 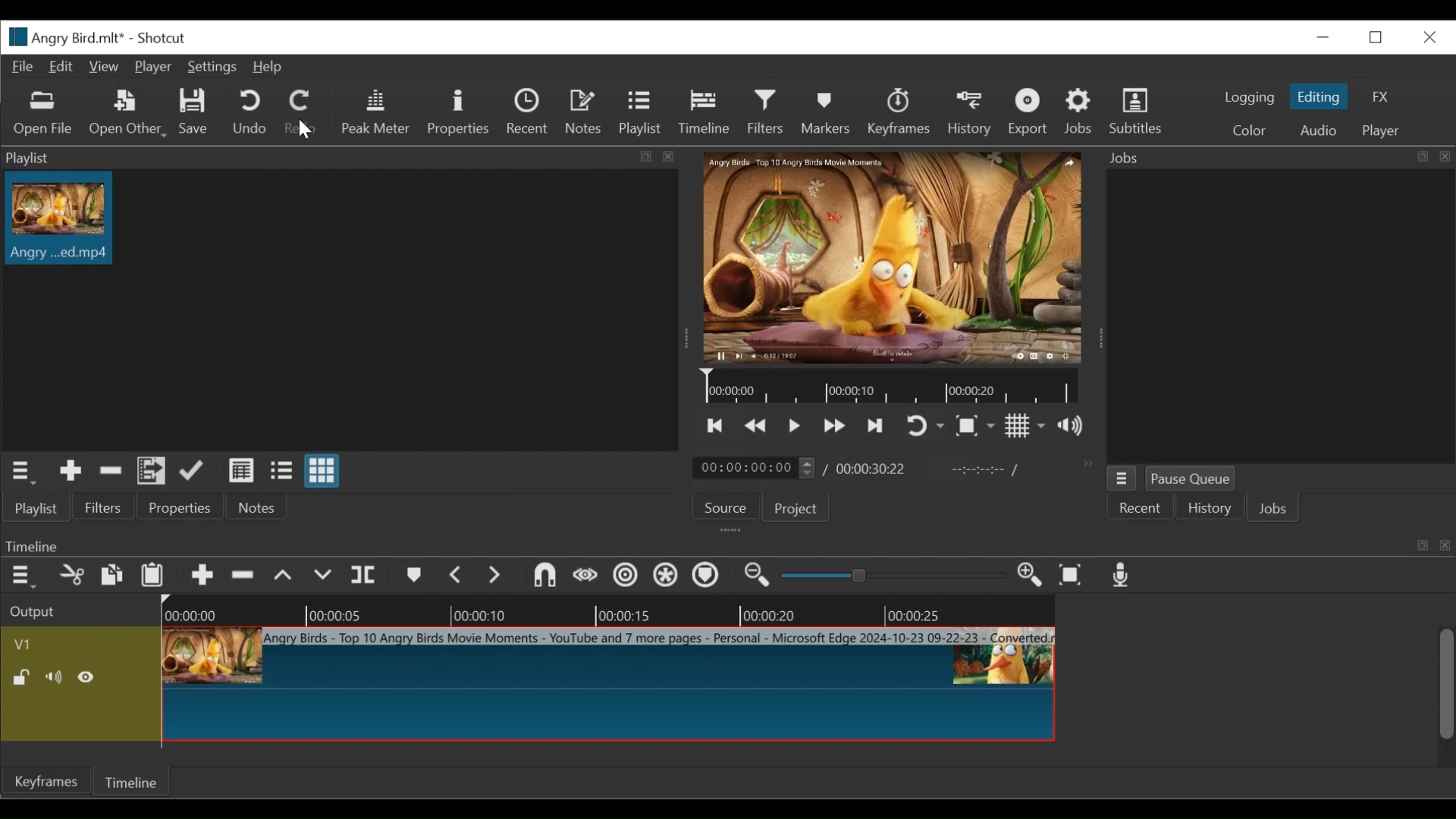 I want to click on Markers, so click(x=412, y=576).